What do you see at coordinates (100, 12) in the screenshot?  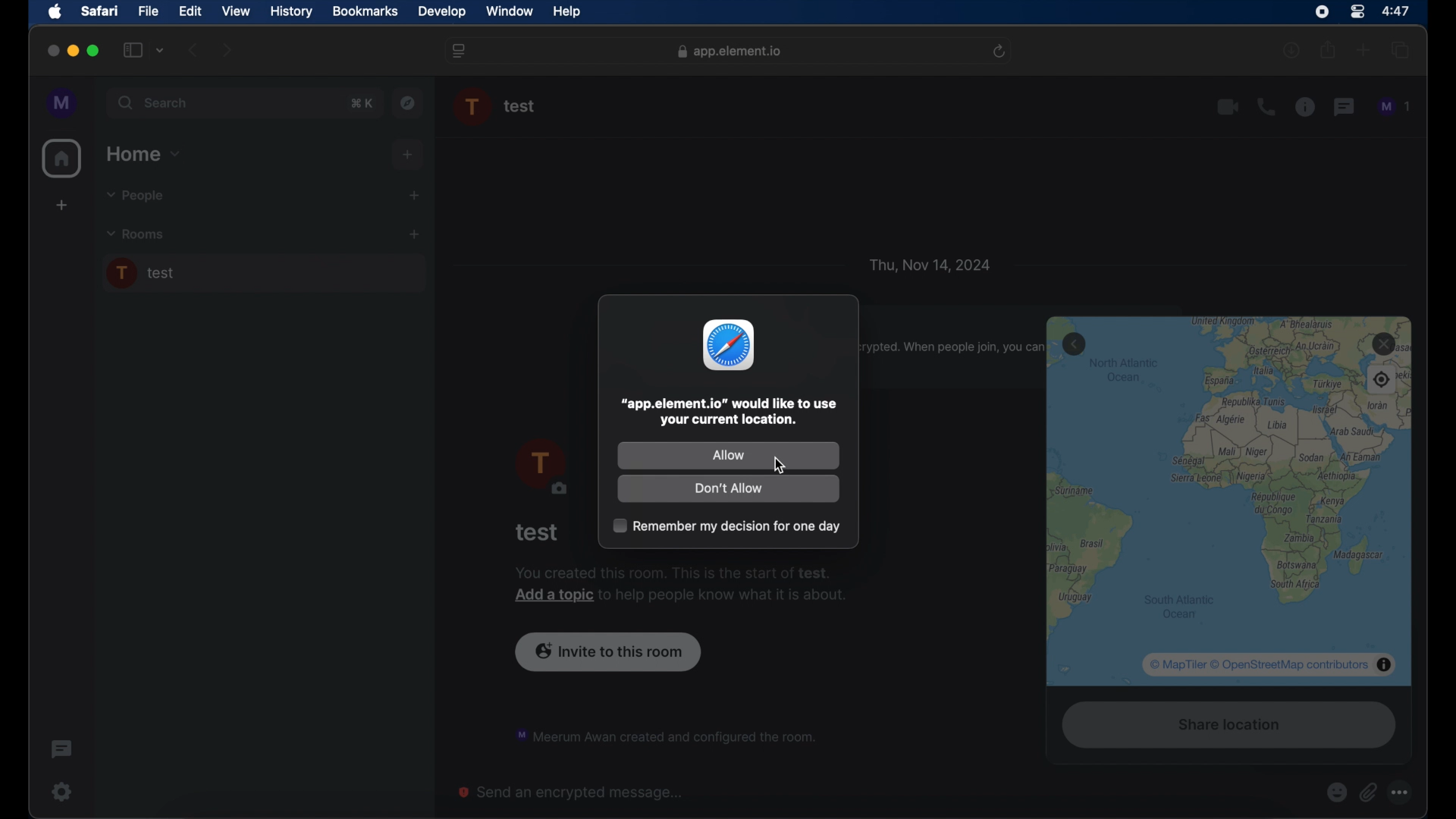 I see `safari` at bounding box center [100, 12].